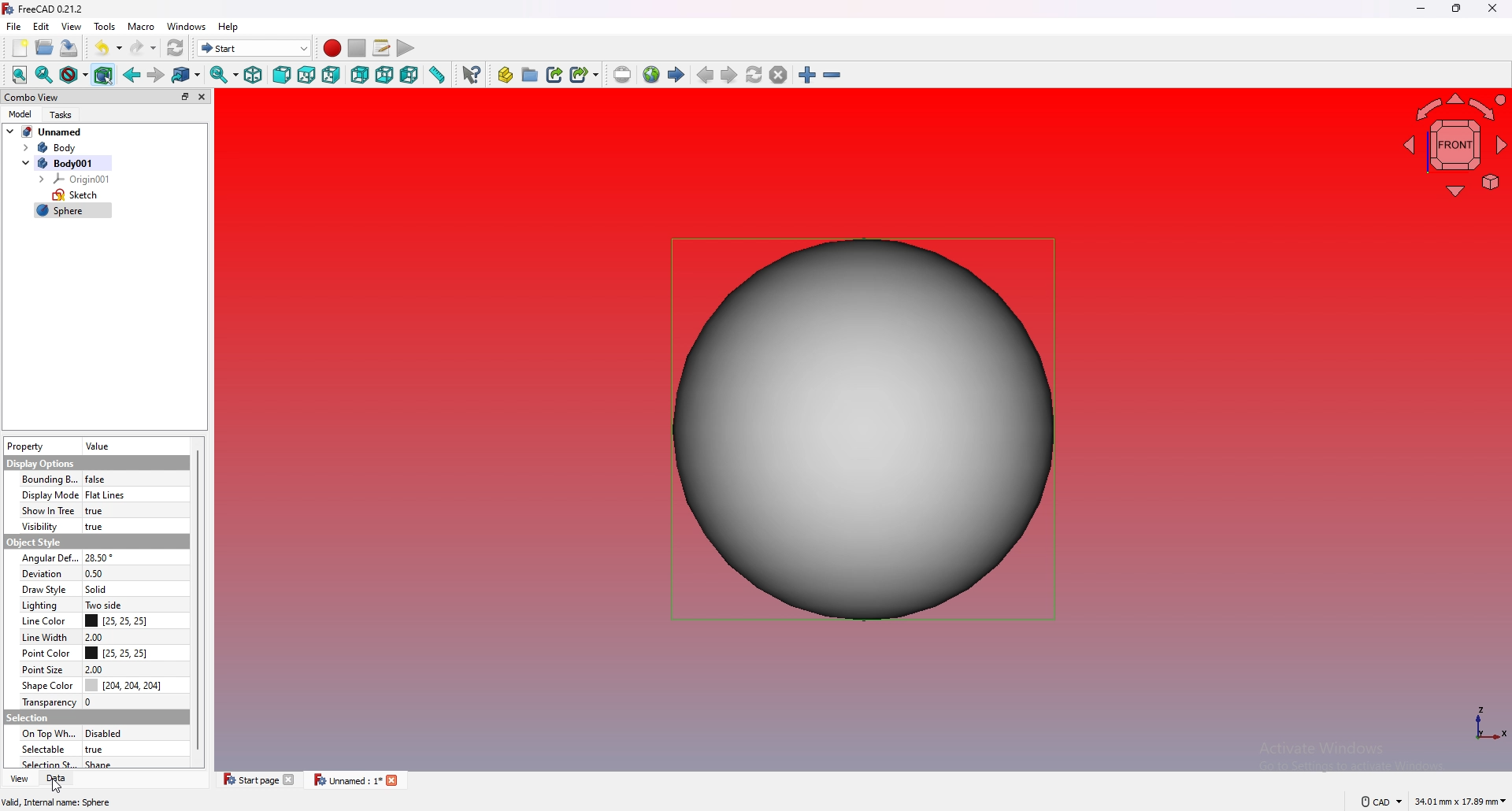 Image resolution: width=1512 pixels, height=811 pixels. I want to click on resize, so click(1456, 9).